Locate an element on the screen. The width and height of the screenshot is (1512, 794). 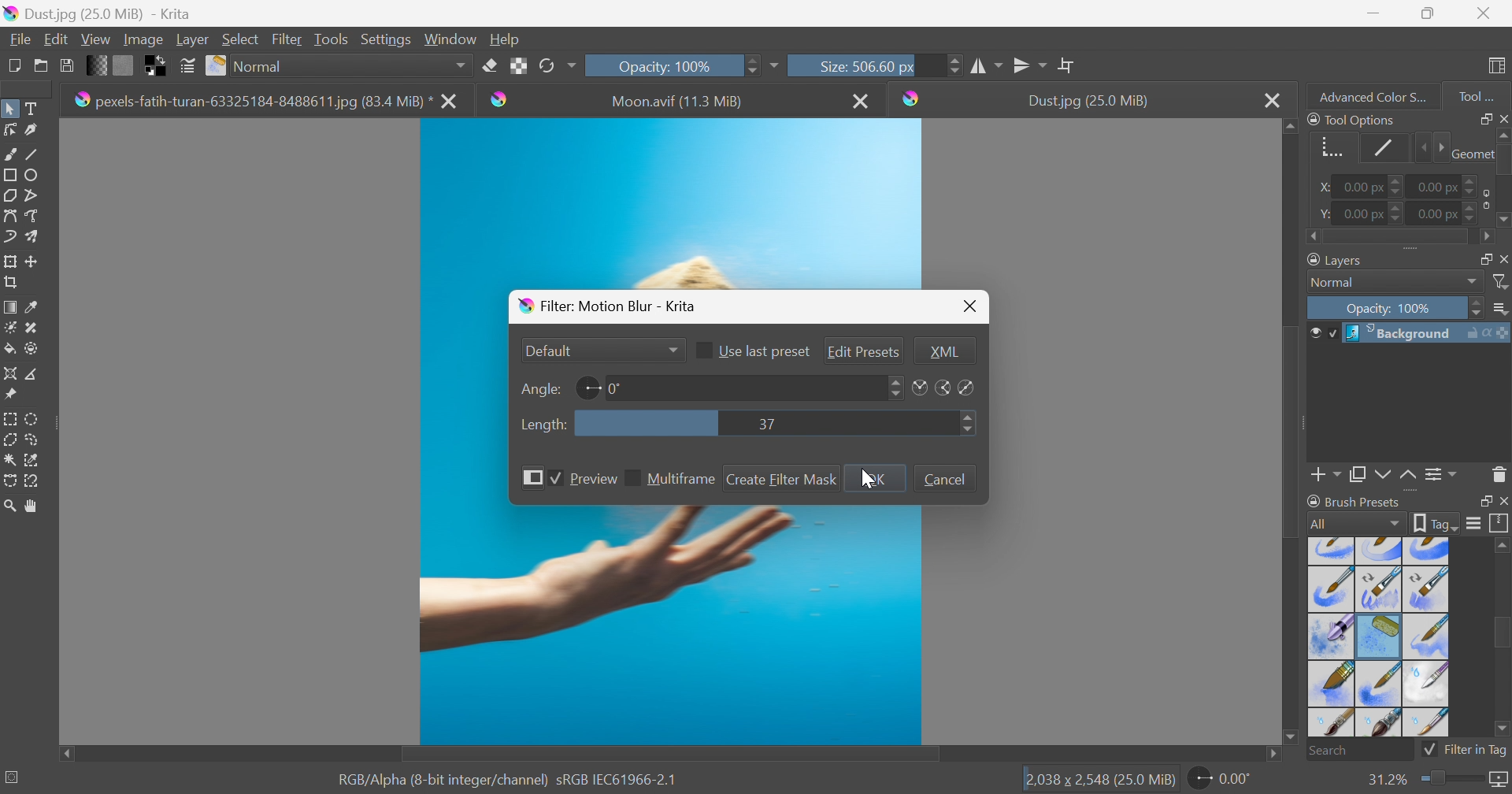
Bezier curve tool is located at coordinates (9, 216).